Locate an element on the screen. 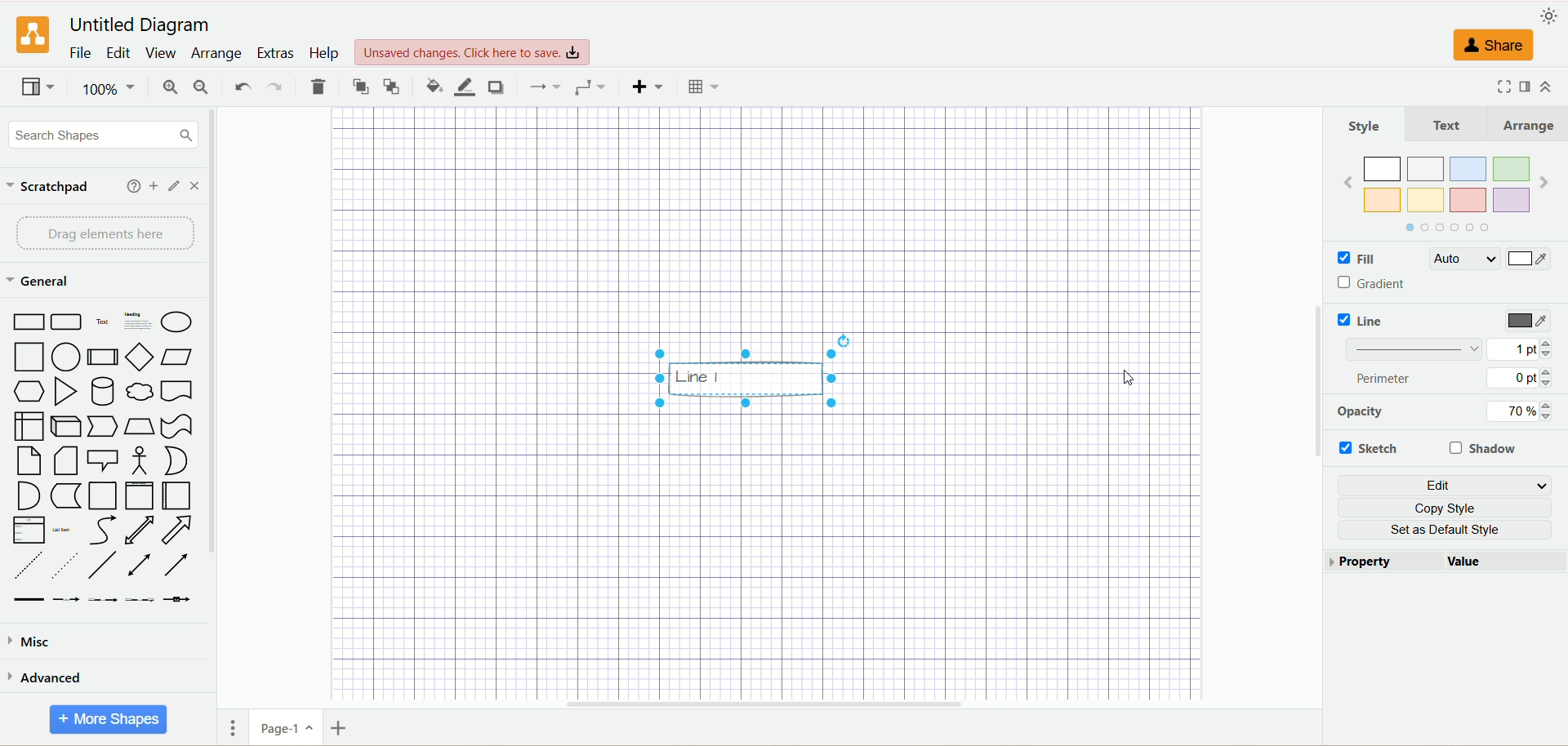  Auto is located at coordinates (1463, 260).